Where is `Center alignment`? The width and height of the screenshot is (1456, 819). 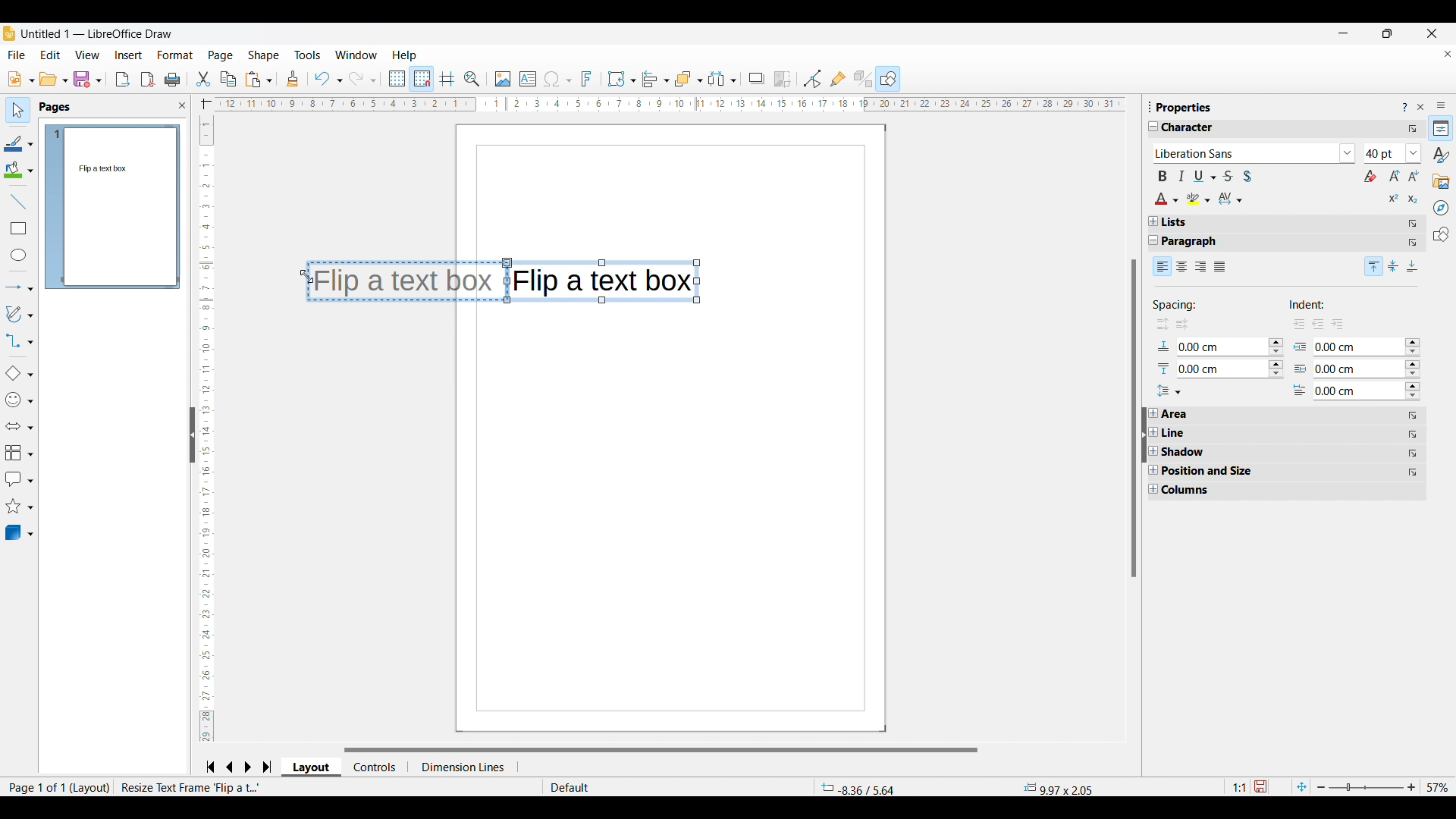 Center alignment is located at coordinates (1182, 267).